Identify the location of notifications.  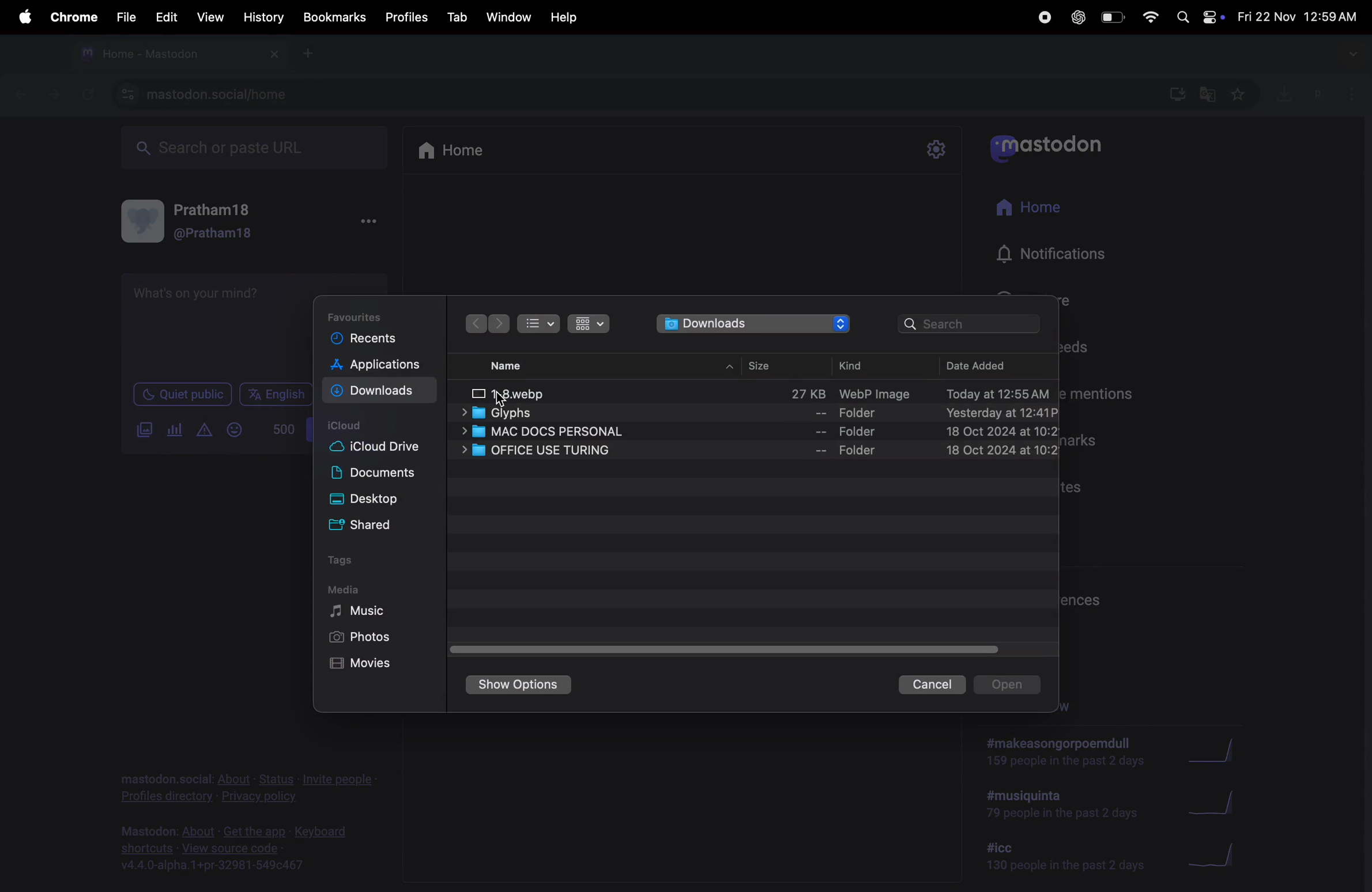
(1063, 252).